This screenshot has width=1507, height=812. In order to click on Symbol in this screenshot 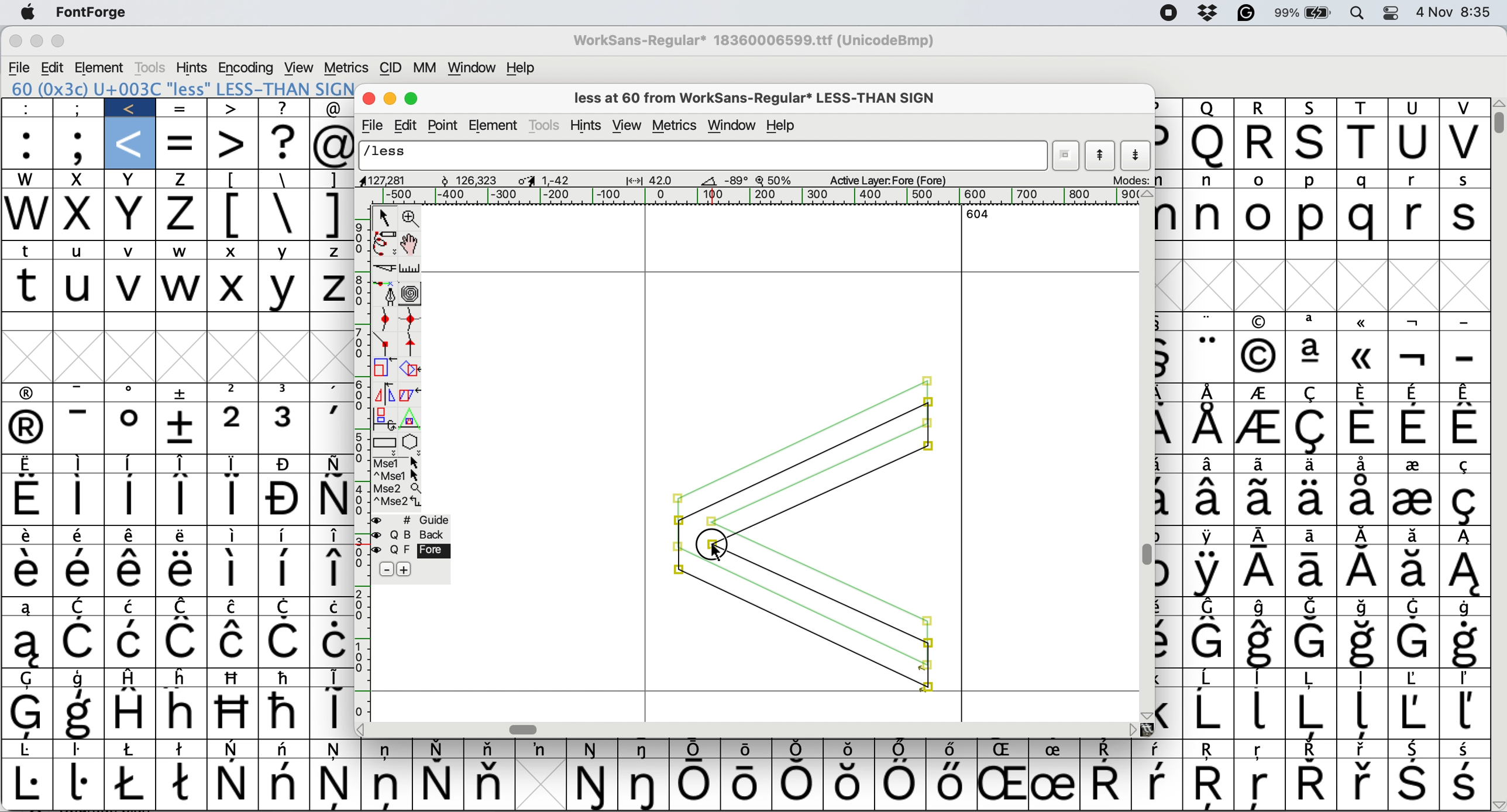, I will do `click(1054, 783)`.